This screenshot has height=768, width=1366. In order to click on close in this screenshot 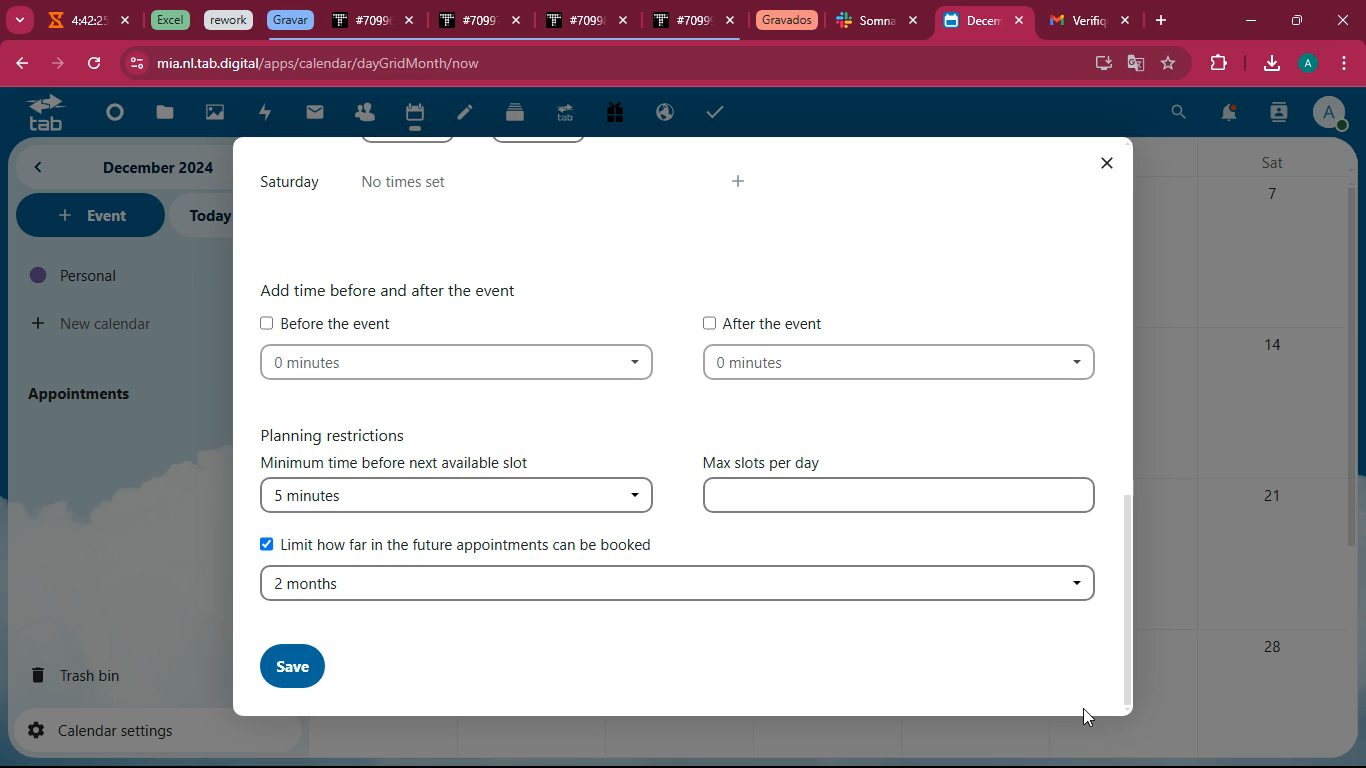, I will do `click(1127, 21)`.